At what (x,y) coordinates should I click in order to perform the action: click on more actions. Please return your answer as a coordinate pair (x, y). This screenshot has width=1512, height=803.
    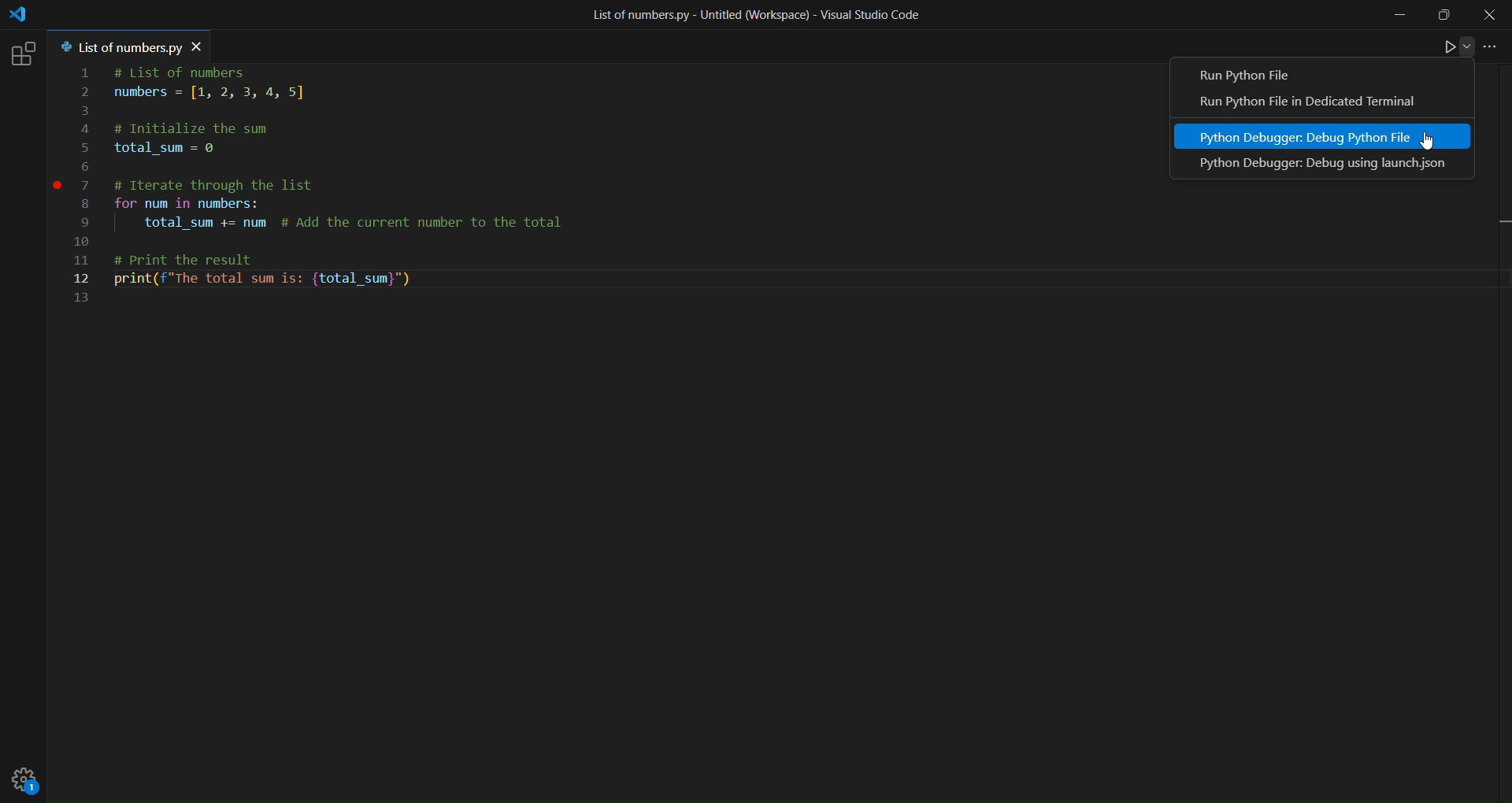
    Looking at the image, I should click on (1492, 47).